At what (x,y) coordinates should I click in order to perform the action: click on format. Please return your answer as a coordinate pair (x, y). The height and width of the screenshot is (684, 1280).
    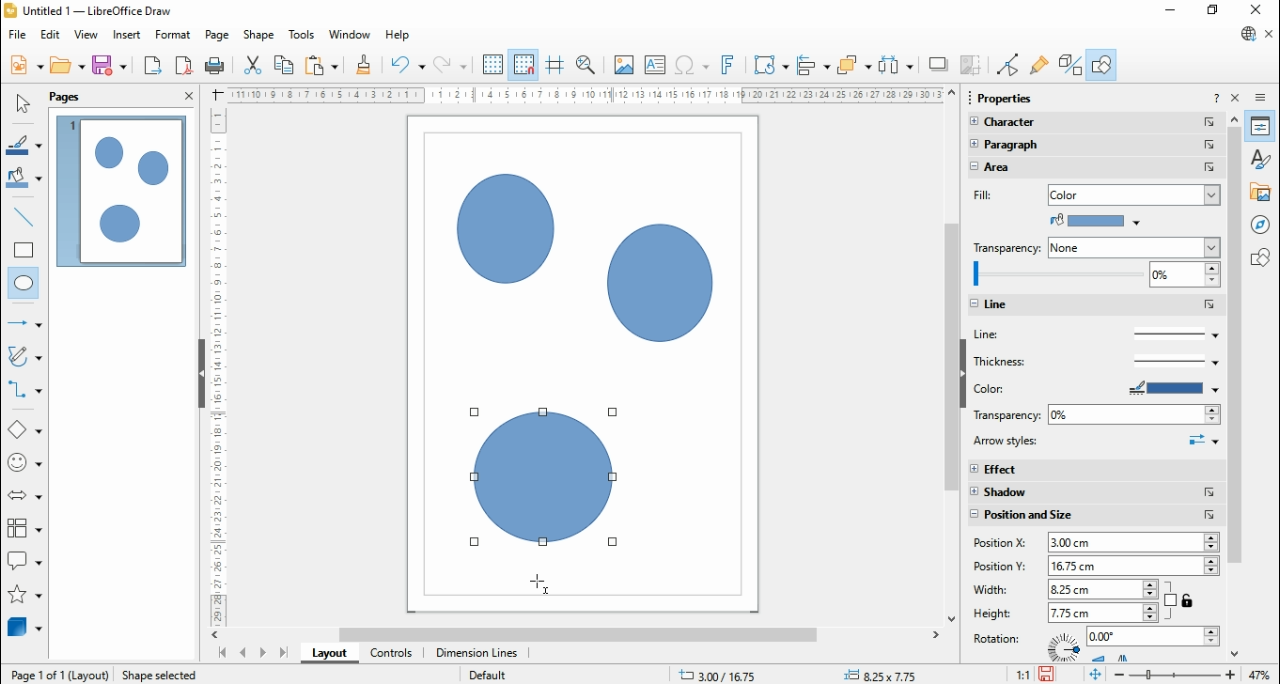
    Looking at the image, I should click on (174, 35).